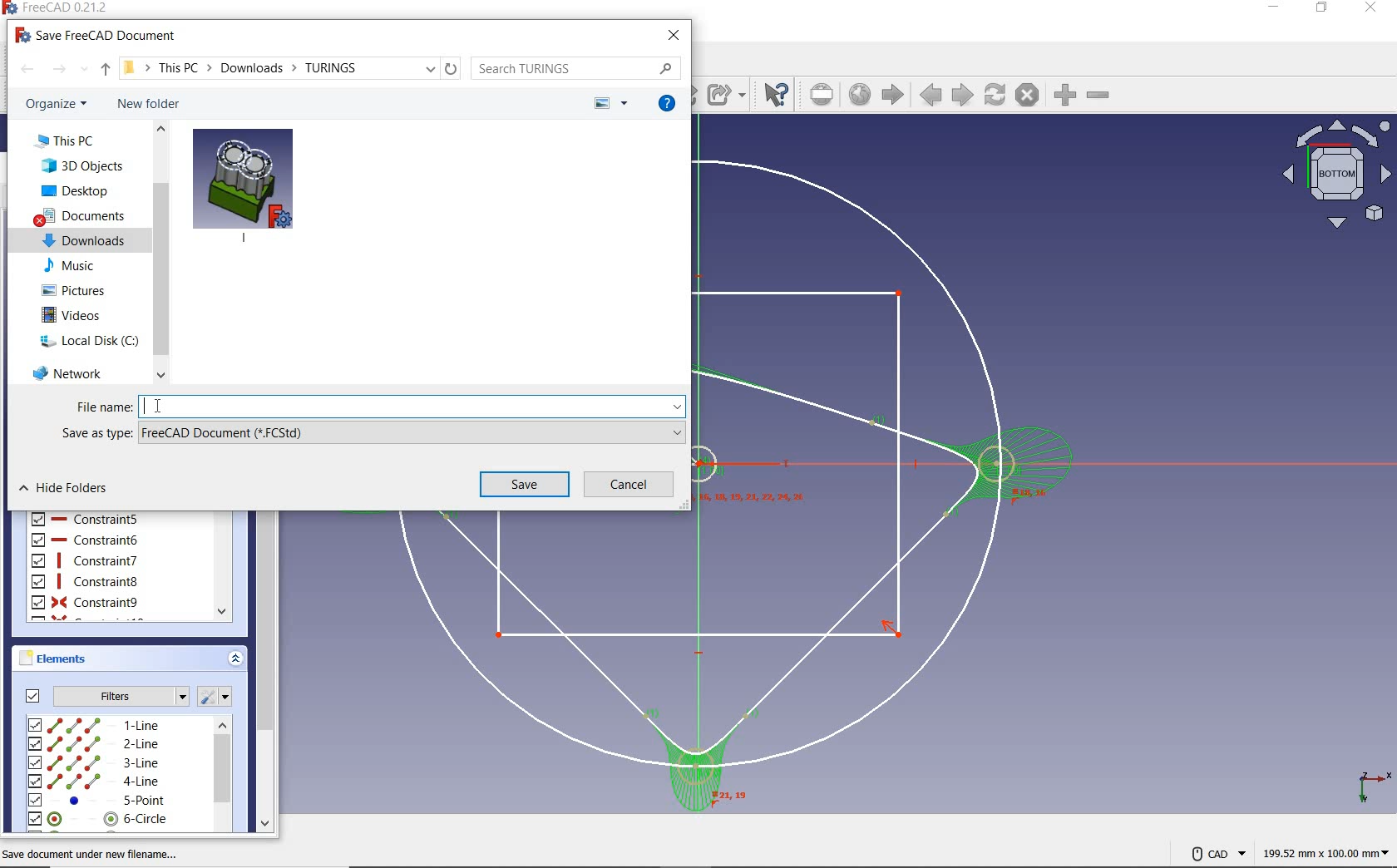 This screenshot has height=868, width=1397. Describe the element at coordinates (73, 315) in the screenshot. I see `videos` at that location.